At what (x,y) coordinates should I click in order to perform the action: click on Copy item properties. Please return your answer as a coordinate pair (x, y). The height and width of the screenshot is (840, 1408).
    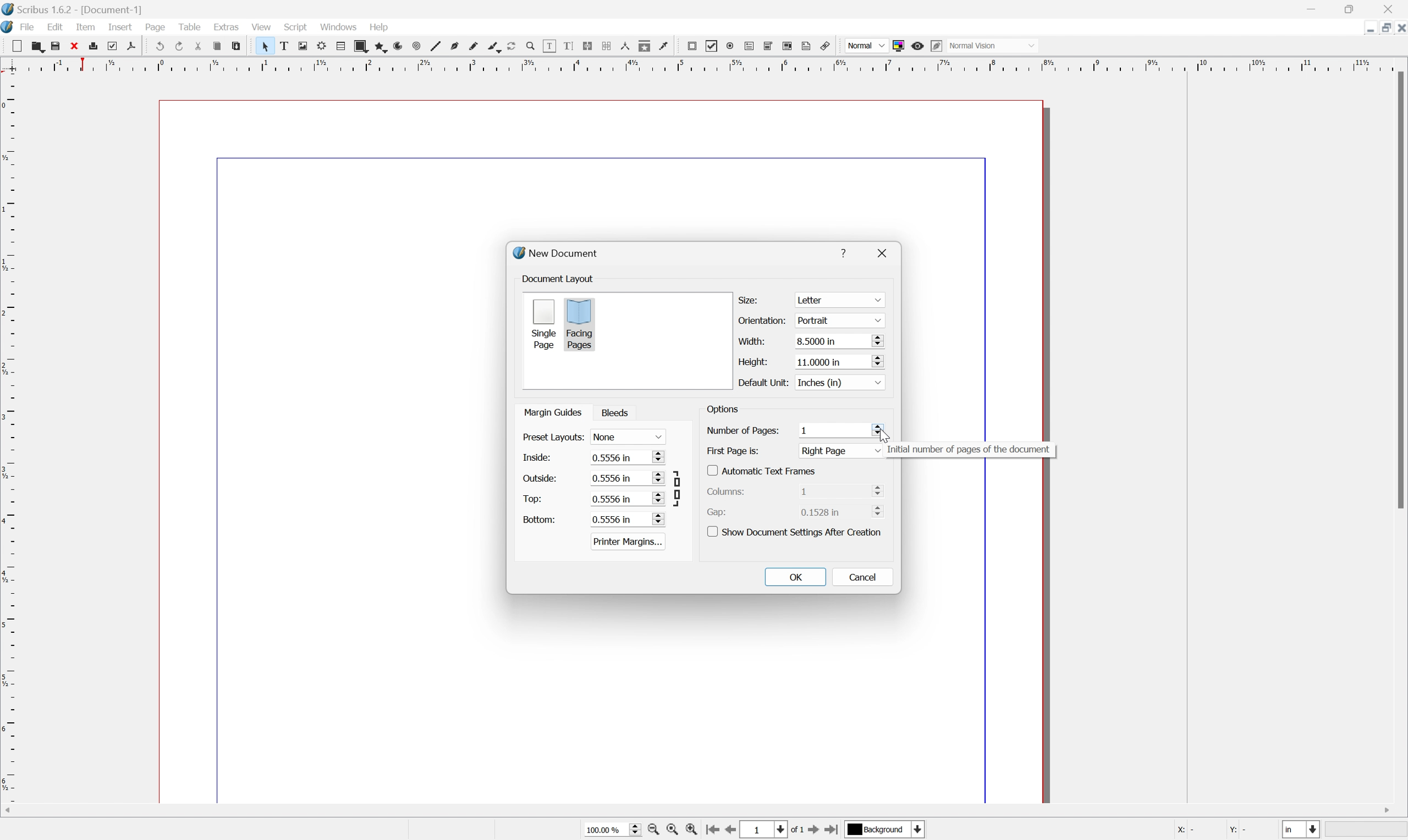
    Looking at the image, I should click on (645, 46).